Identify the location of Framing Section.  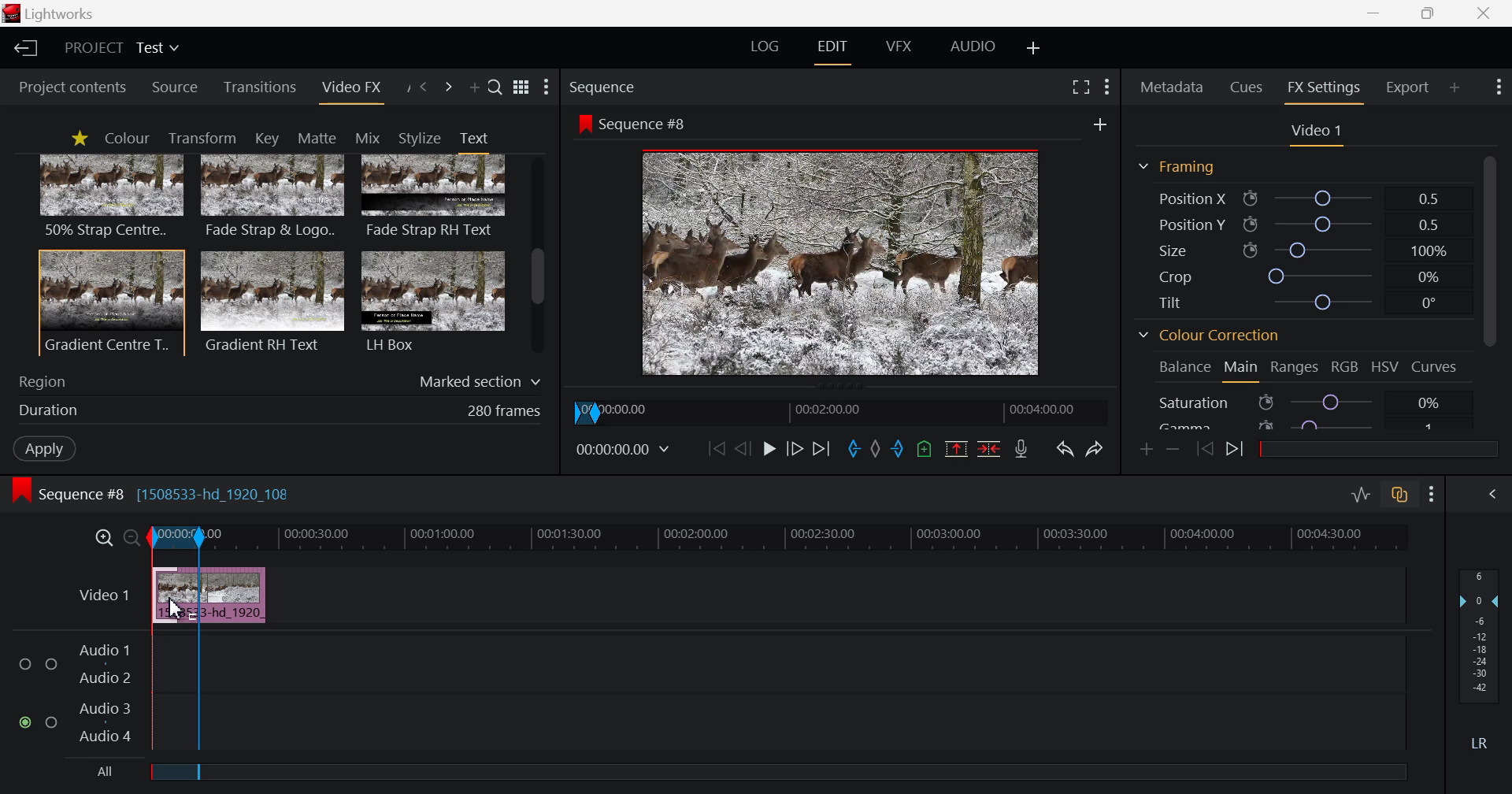
(1183, 166).